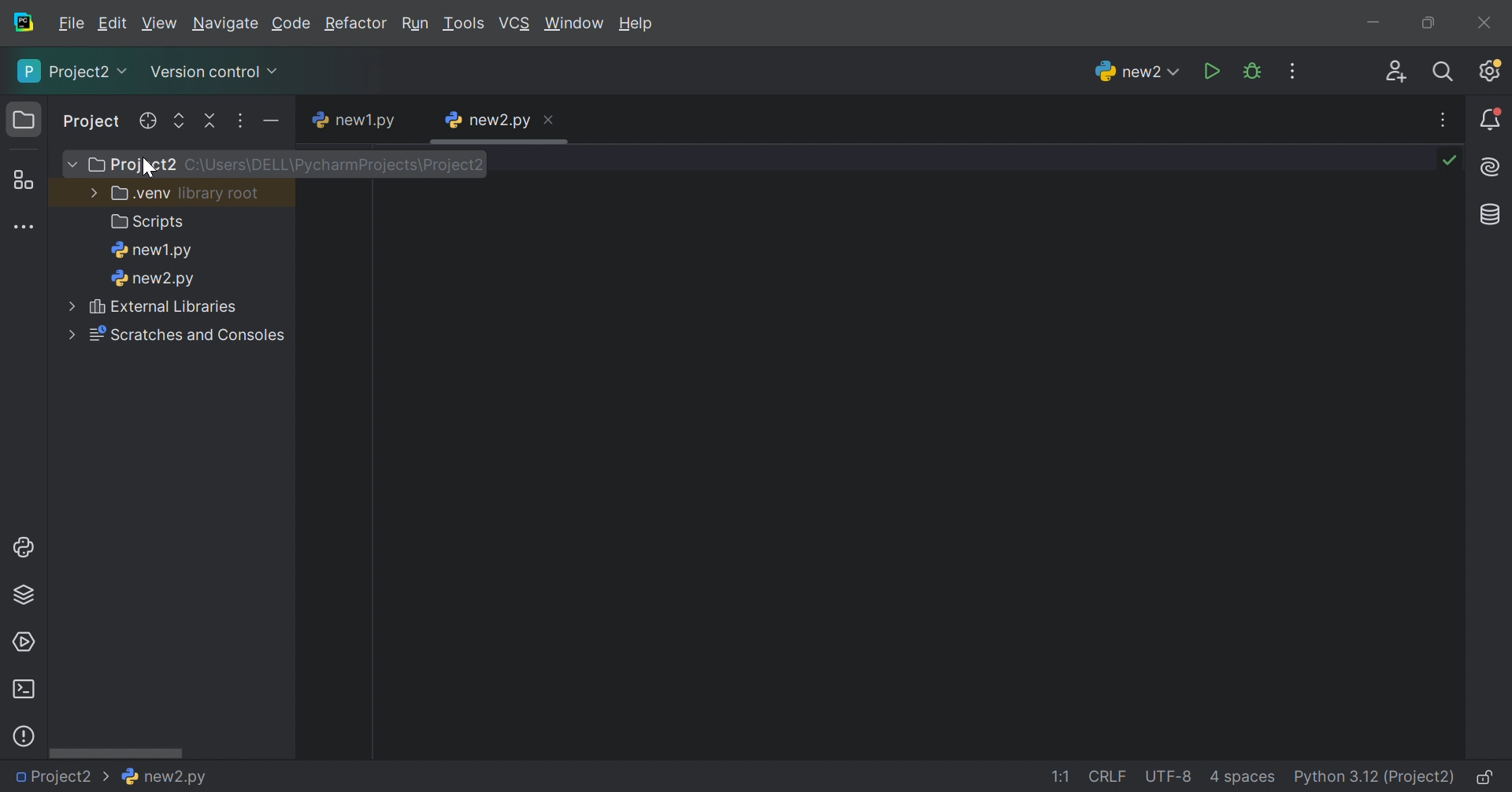 The width and height of the screenshot is (1512, 792). I want to click on Hide, so click(270, 124).